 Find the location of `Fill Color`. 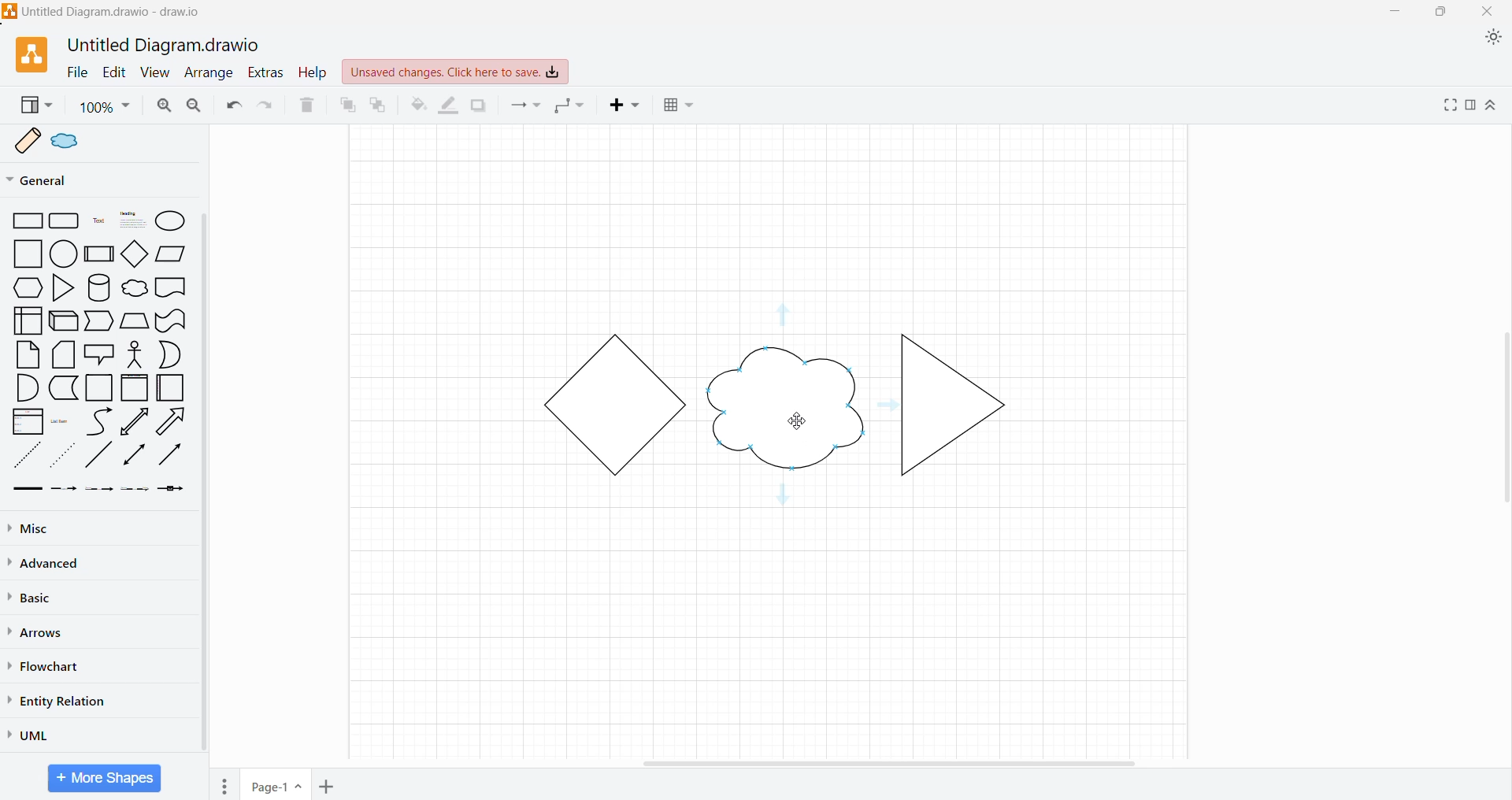

Fill Color is located at coordinates (414, 106).